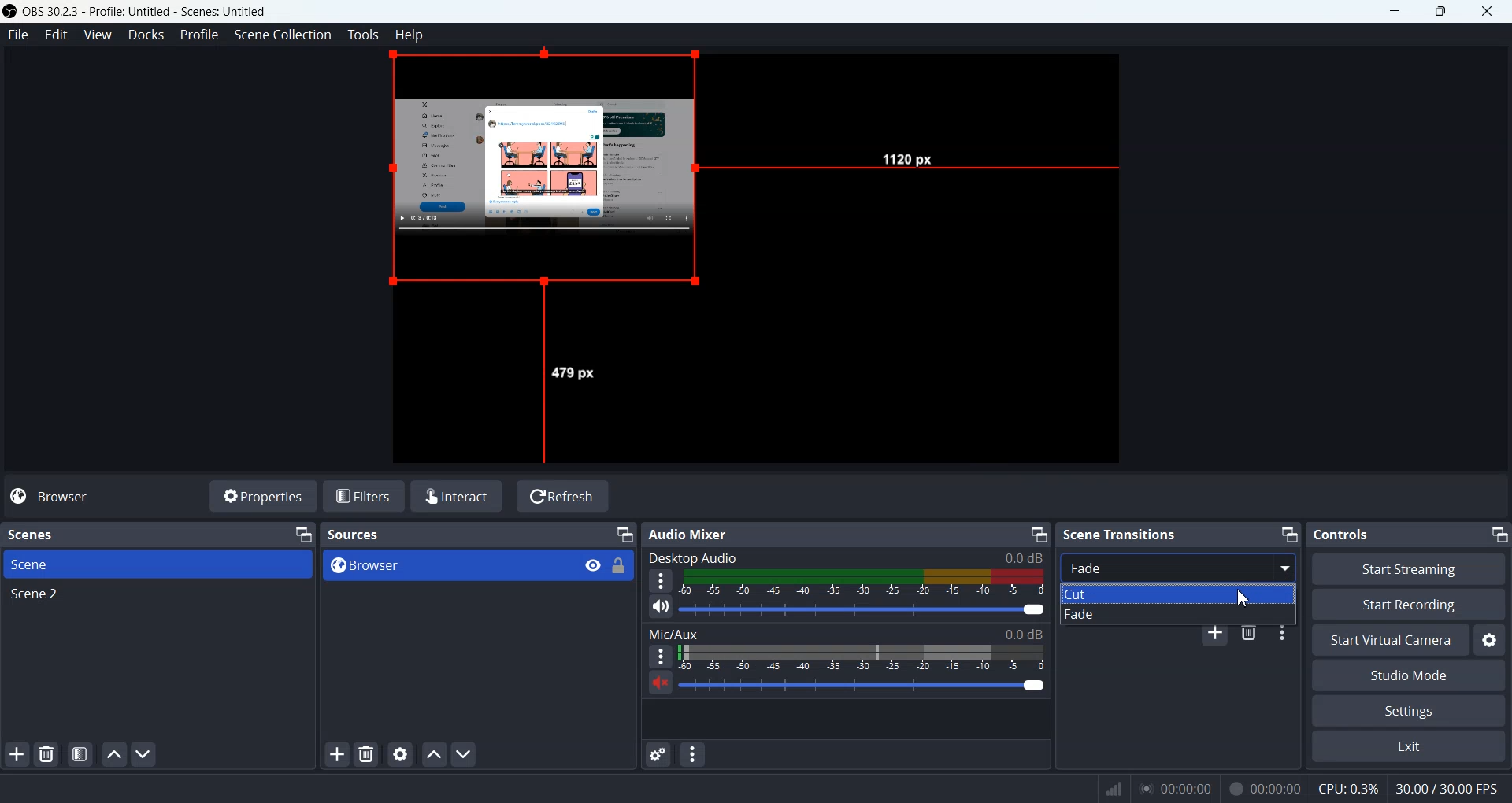 The image size is (1512, 803). I want to click on Move Scene down, so click(145, 753).